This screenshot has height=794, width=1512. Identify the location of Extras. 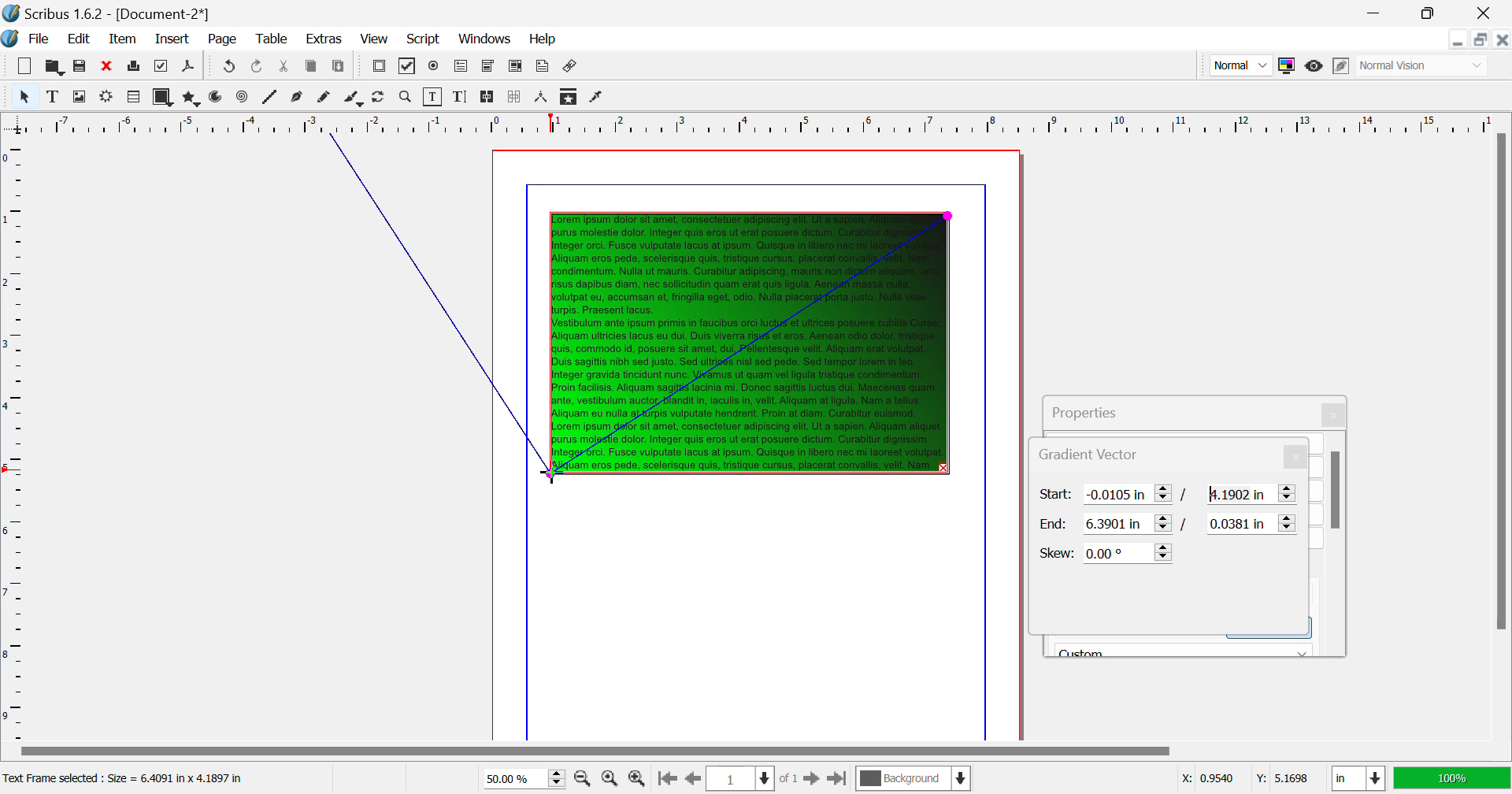
(322, 39).